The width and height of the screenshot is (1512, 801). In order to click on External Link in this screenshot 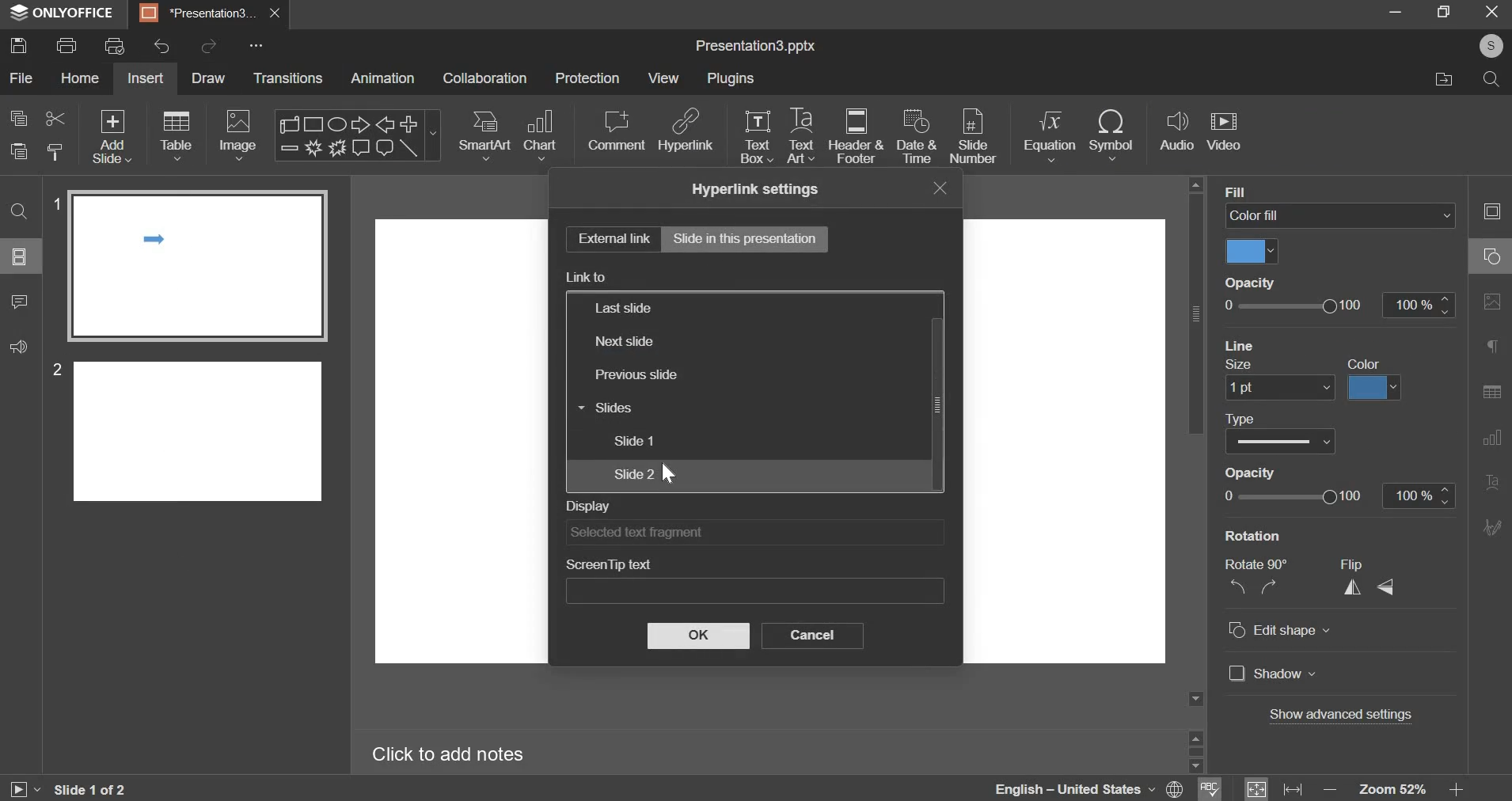, I will do `click(610, 239)`.